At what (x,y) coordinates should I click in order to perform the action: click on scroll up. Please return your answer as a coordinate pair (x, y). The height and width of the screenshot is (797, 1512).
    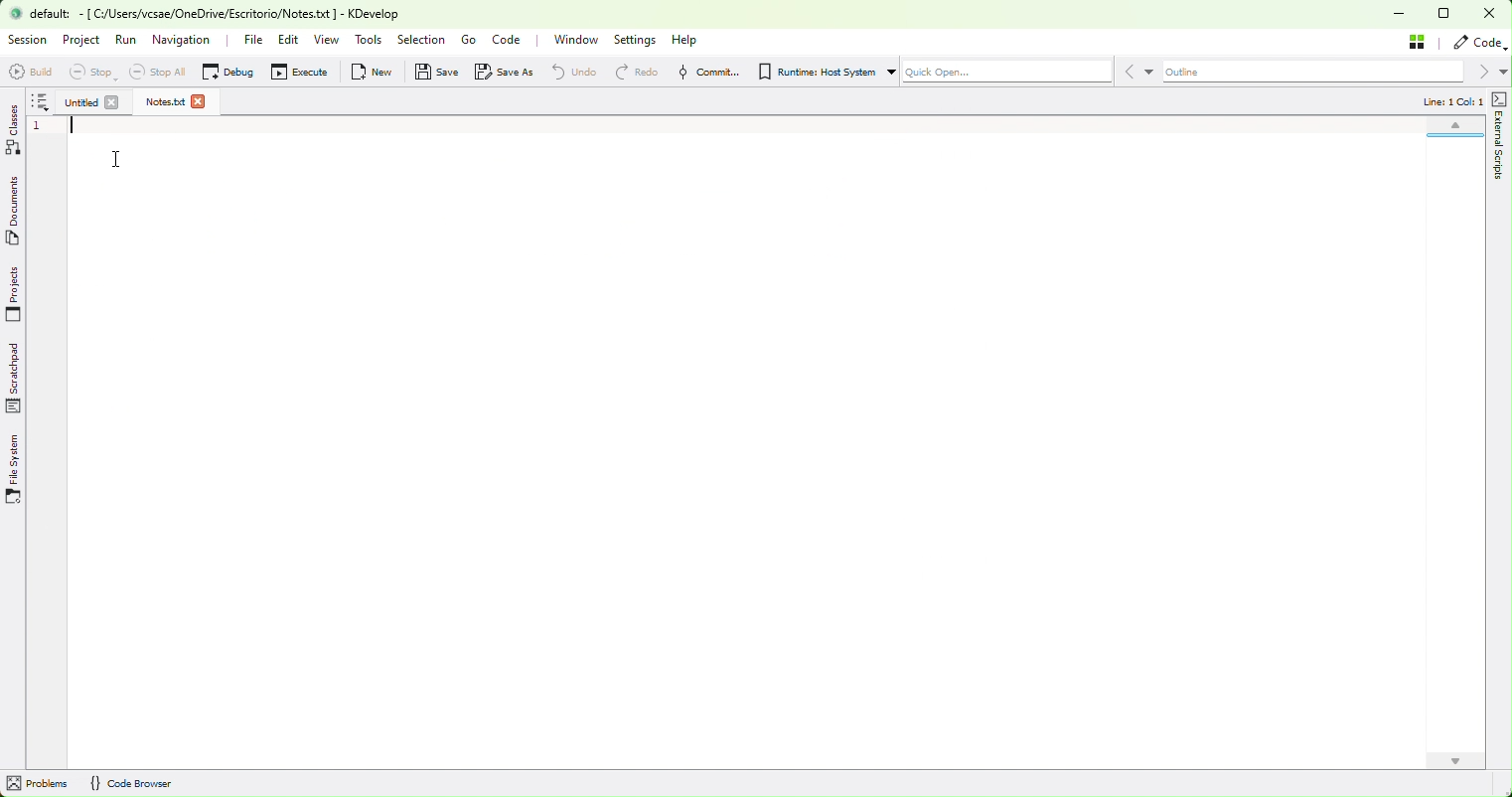
    Looking at the image, I should click on (1453, 128).